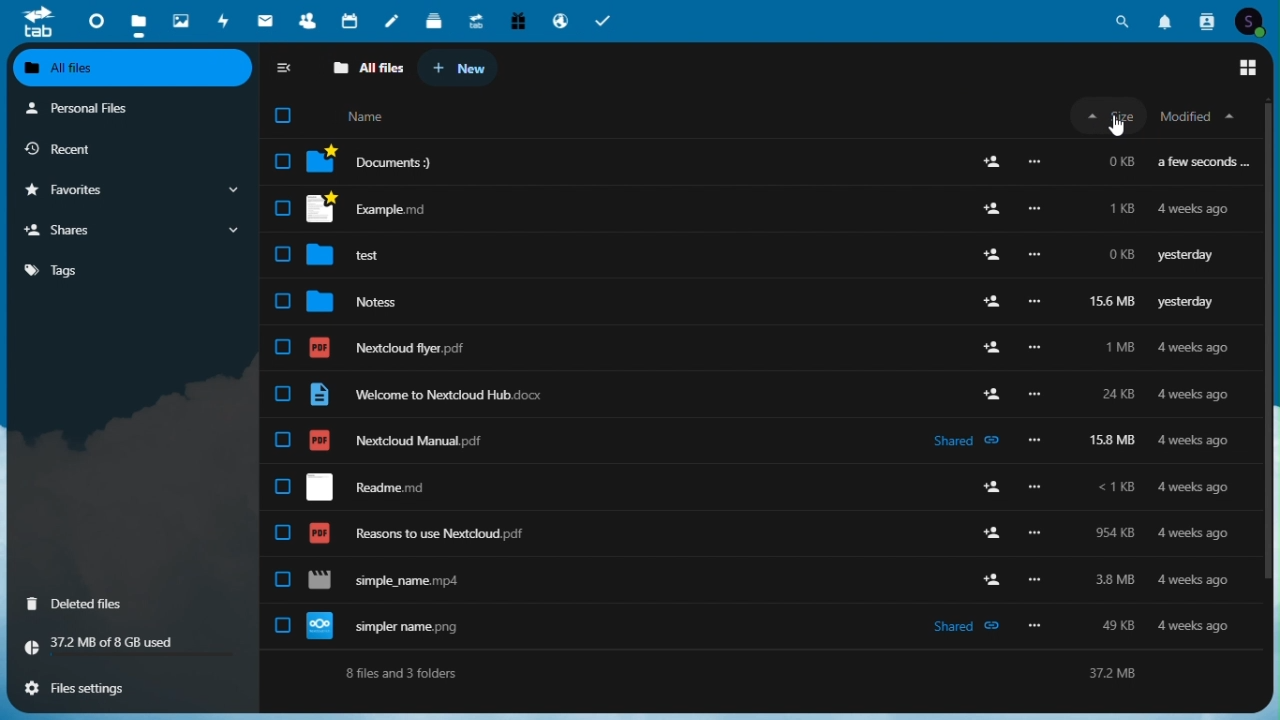 This screenshot has width=1280, height=720. I want to click on deleted Files, so click(118, 605).